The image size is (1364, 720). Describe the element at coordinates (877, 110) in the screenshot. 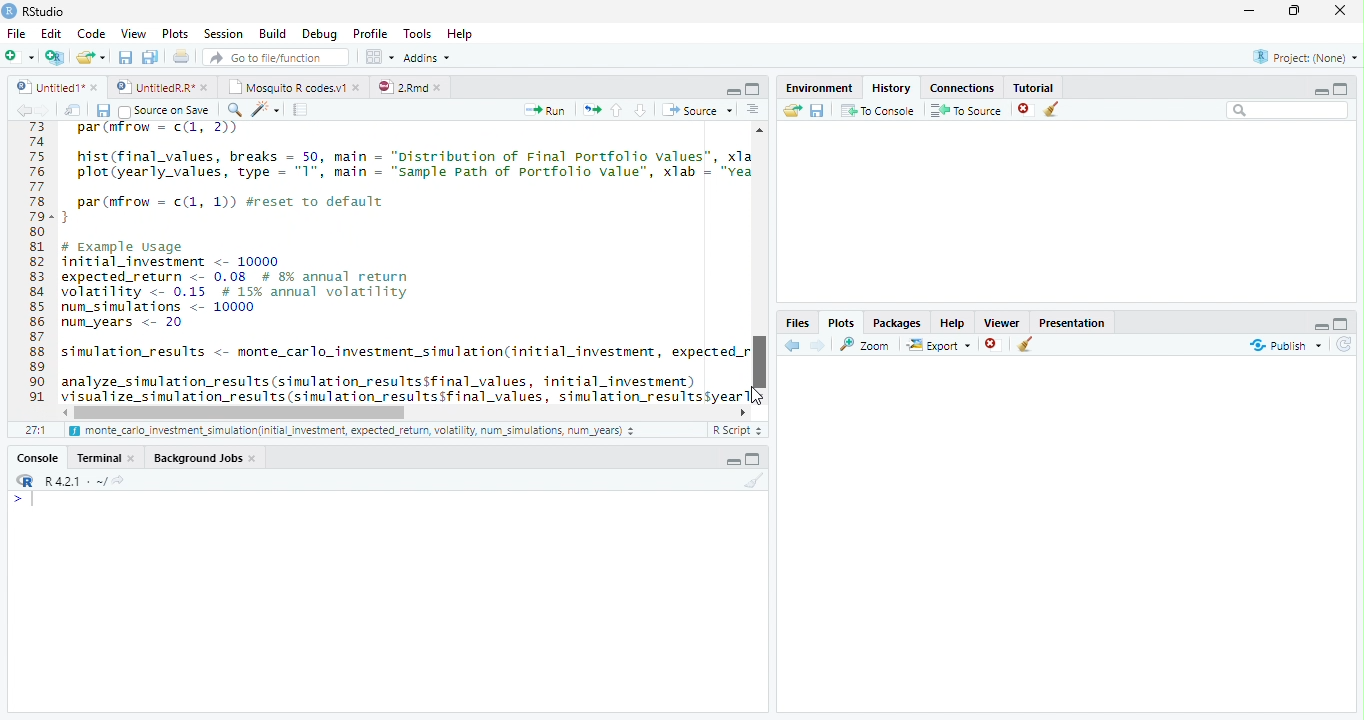

I see `To Console` at that location.